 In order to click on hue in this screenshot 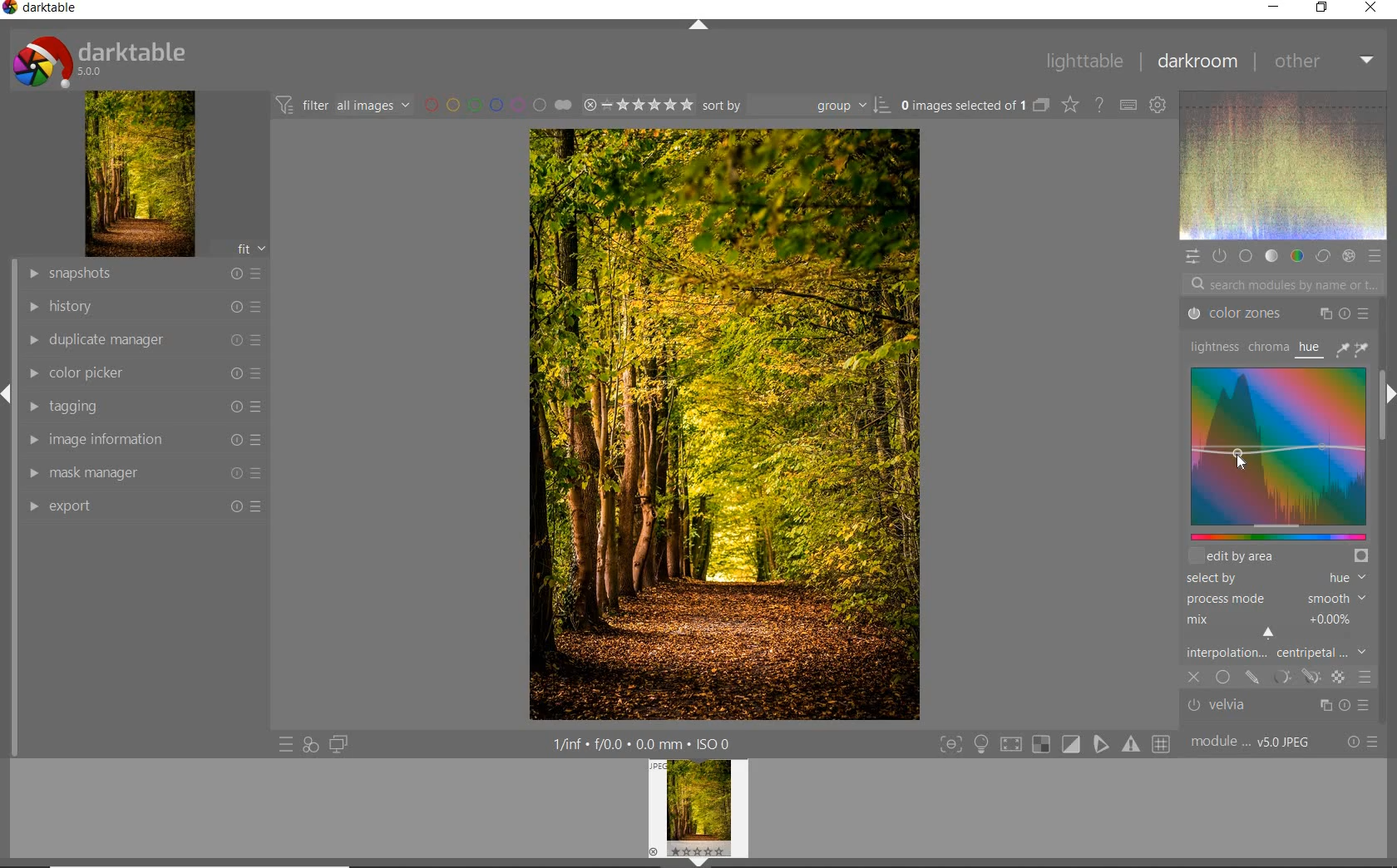, I will do `click(1311, 347)`.